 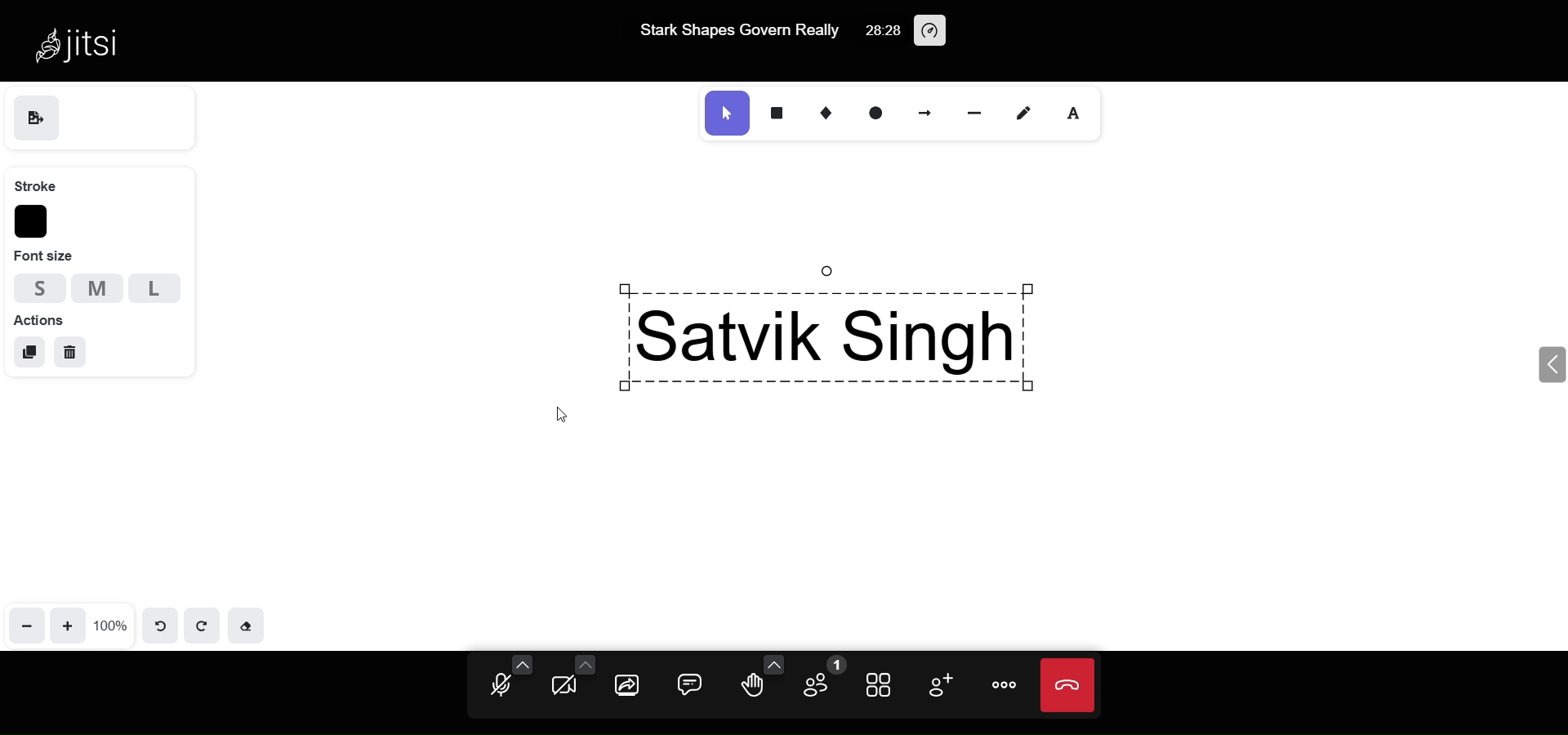 What do you see at coordinates (199, 624) in the screenshot?
I see `redo` at bounding box center [199, 624].